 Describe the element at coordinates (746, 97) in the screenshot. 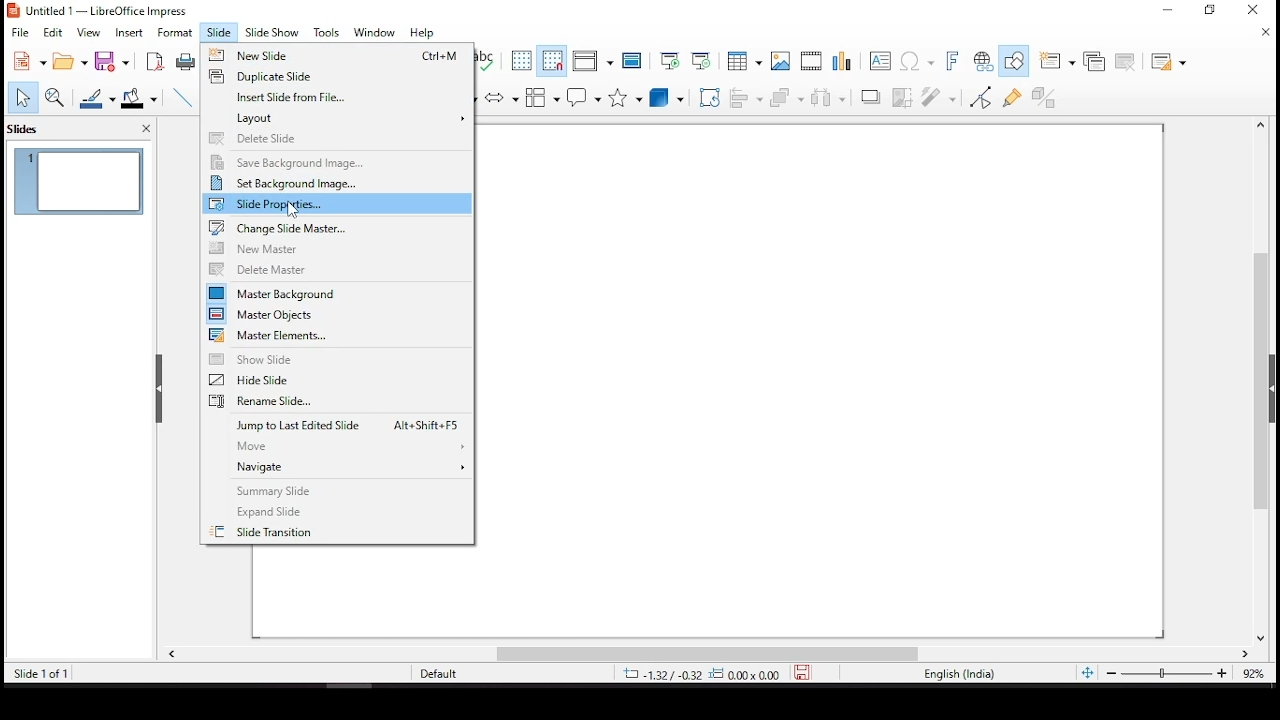

I see `align objects` at that location.